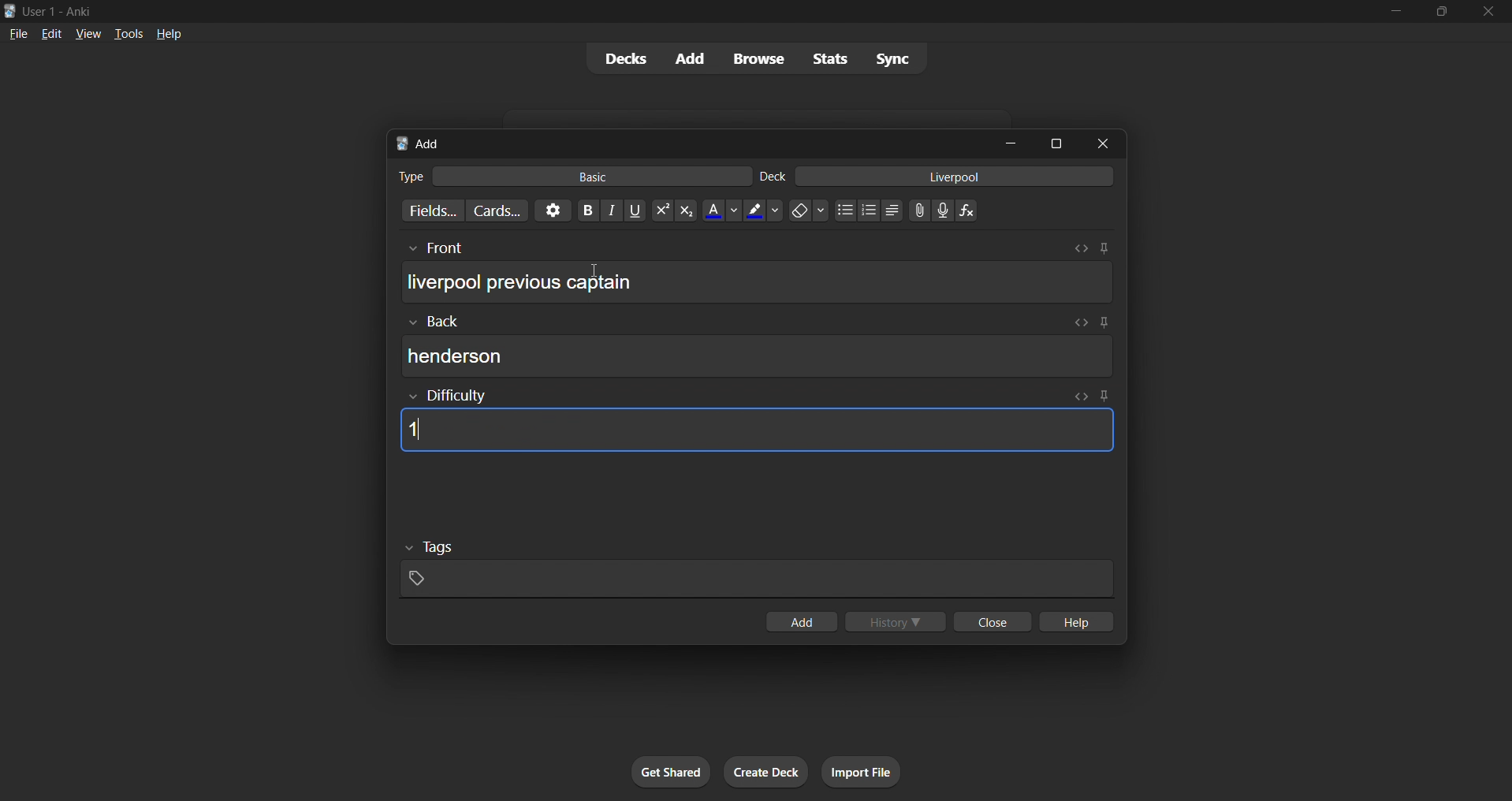  What do you see at coordinates (1489, 12) in the screenshot?
I see `close` at bounding box center [1489, 12].